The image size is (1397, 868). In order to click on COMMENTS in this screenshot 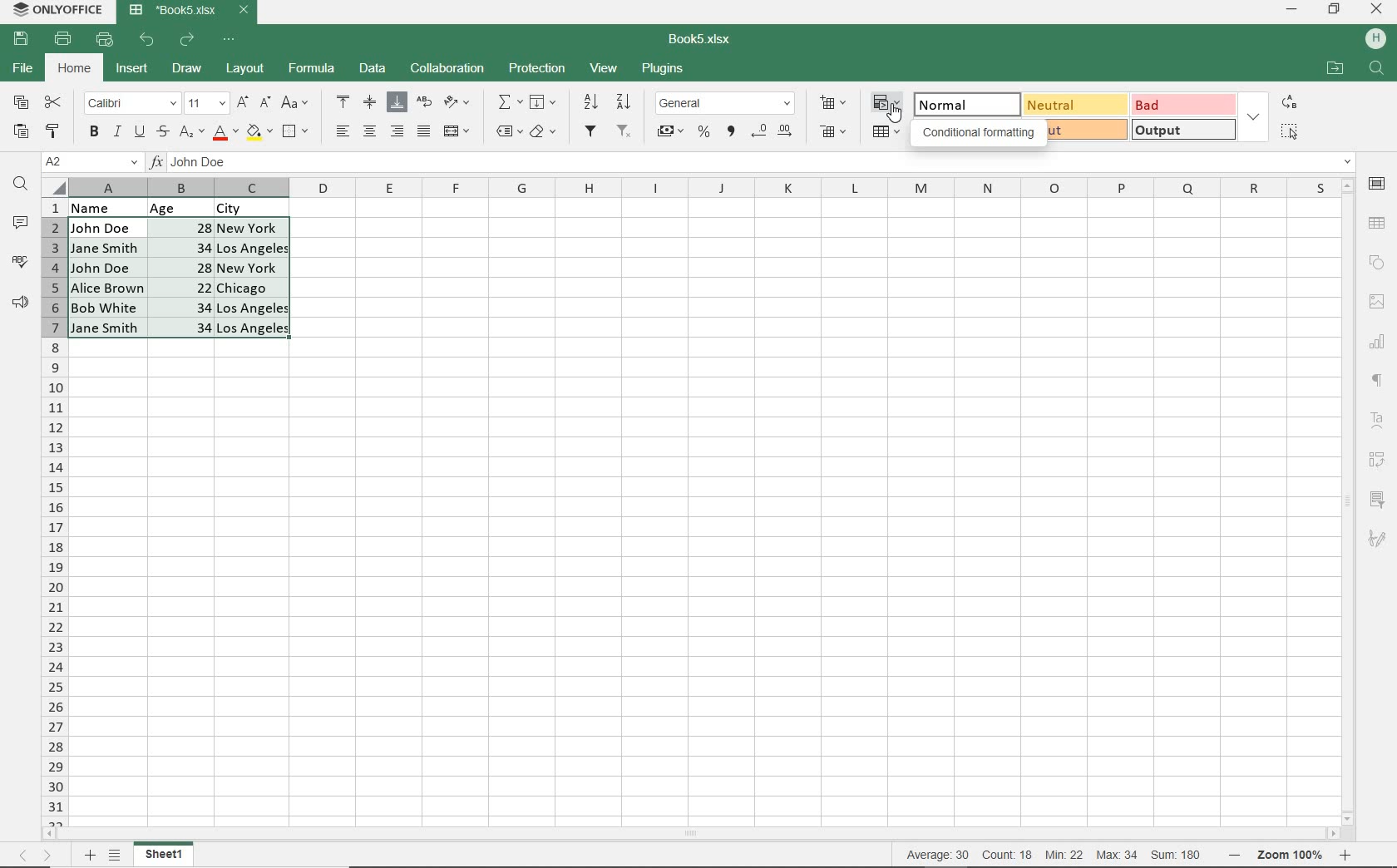, I will do `click(23, 223)`.